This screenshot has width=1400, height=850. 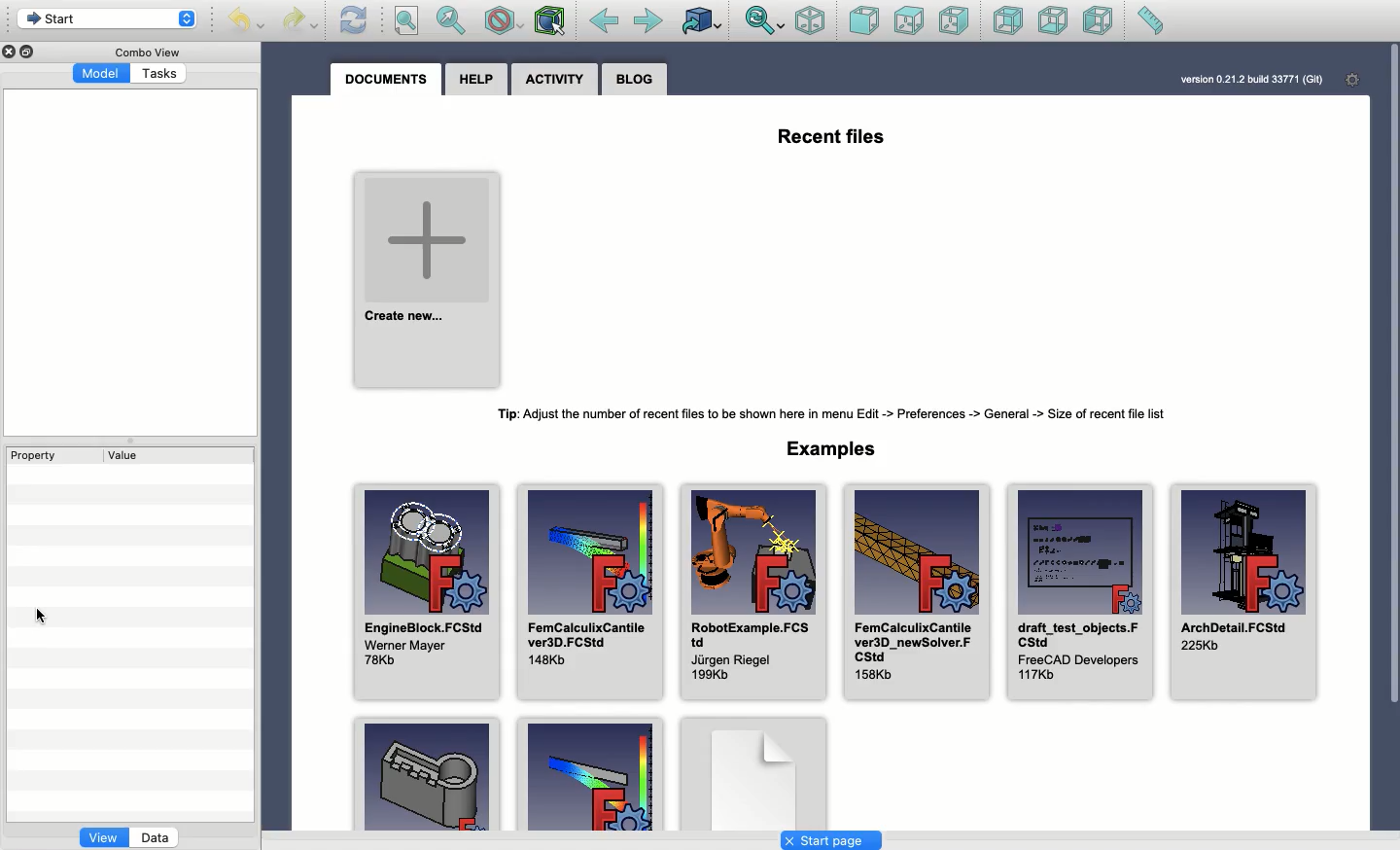 What do you see at coordinates (594, 773) in the screenshot?
I see `Example  2` at bounding box center [594, 773].